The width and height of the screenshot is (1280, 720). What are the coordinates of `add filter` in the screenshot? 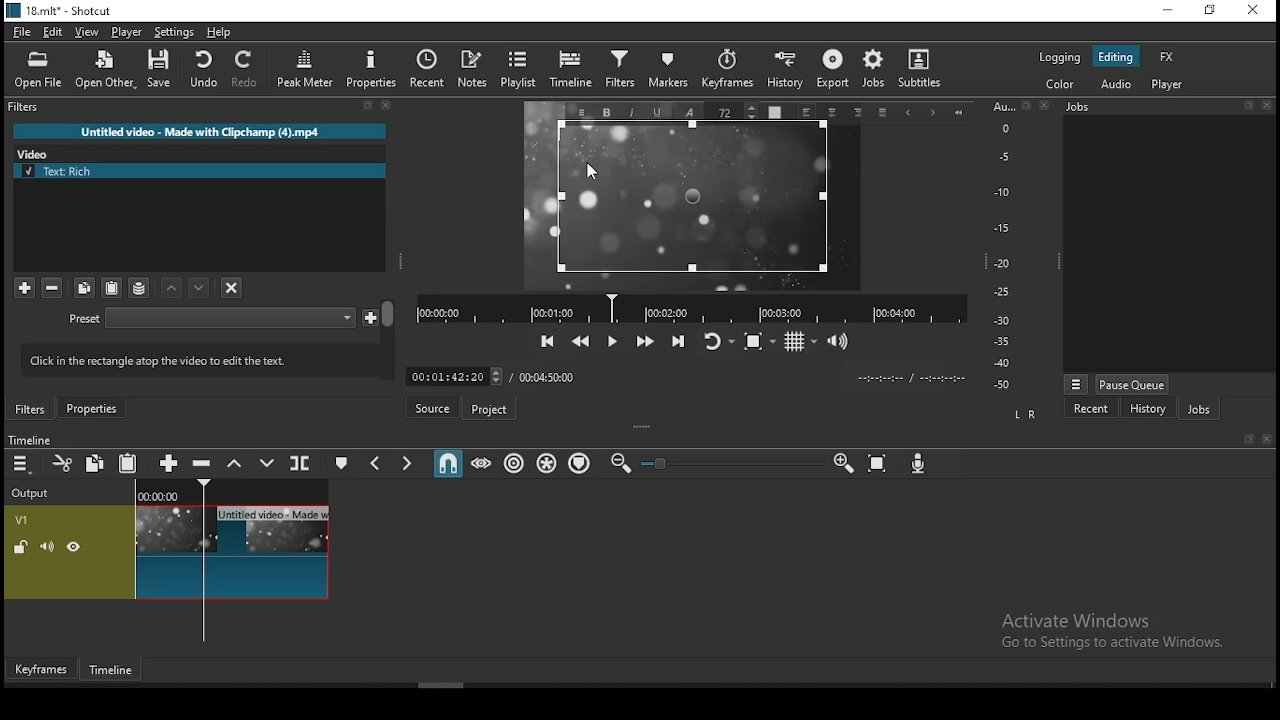 It's located at (24, 288).